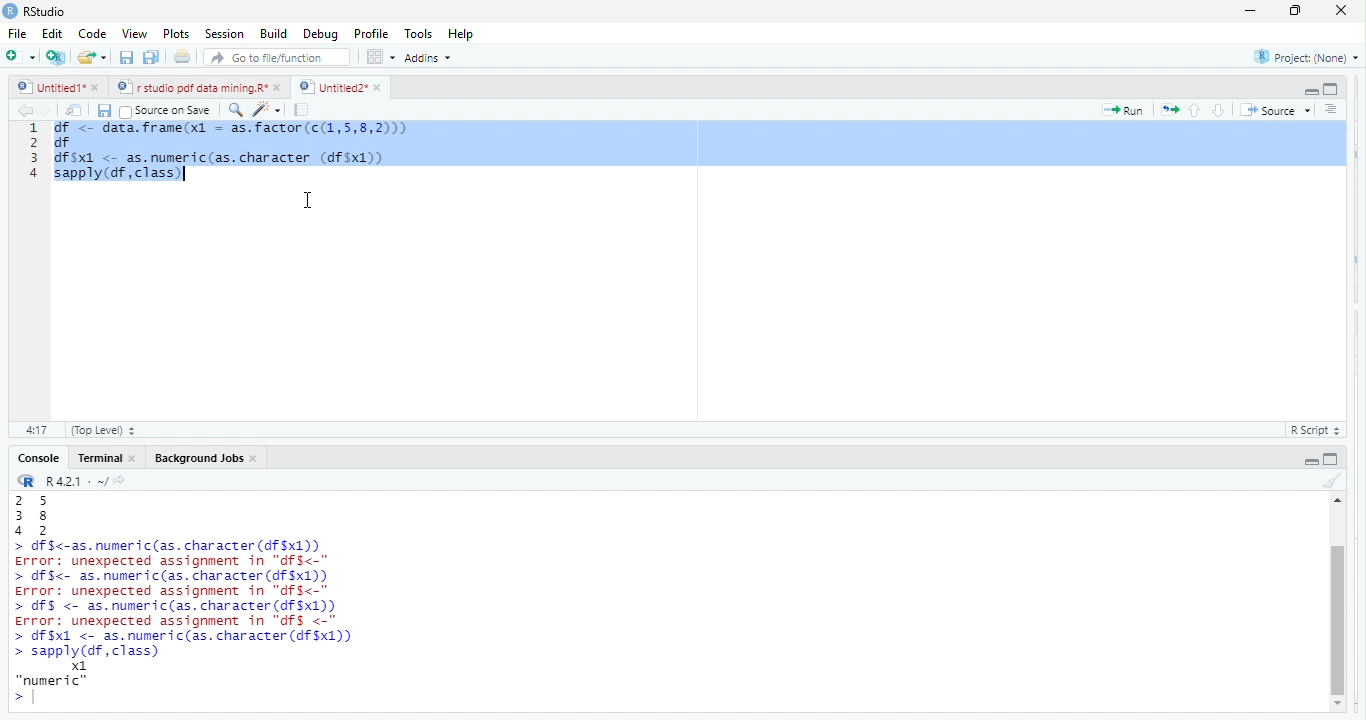  Describe the element at coordinates (1278, 112) in the screenshot. I see ` Source ` at that location.